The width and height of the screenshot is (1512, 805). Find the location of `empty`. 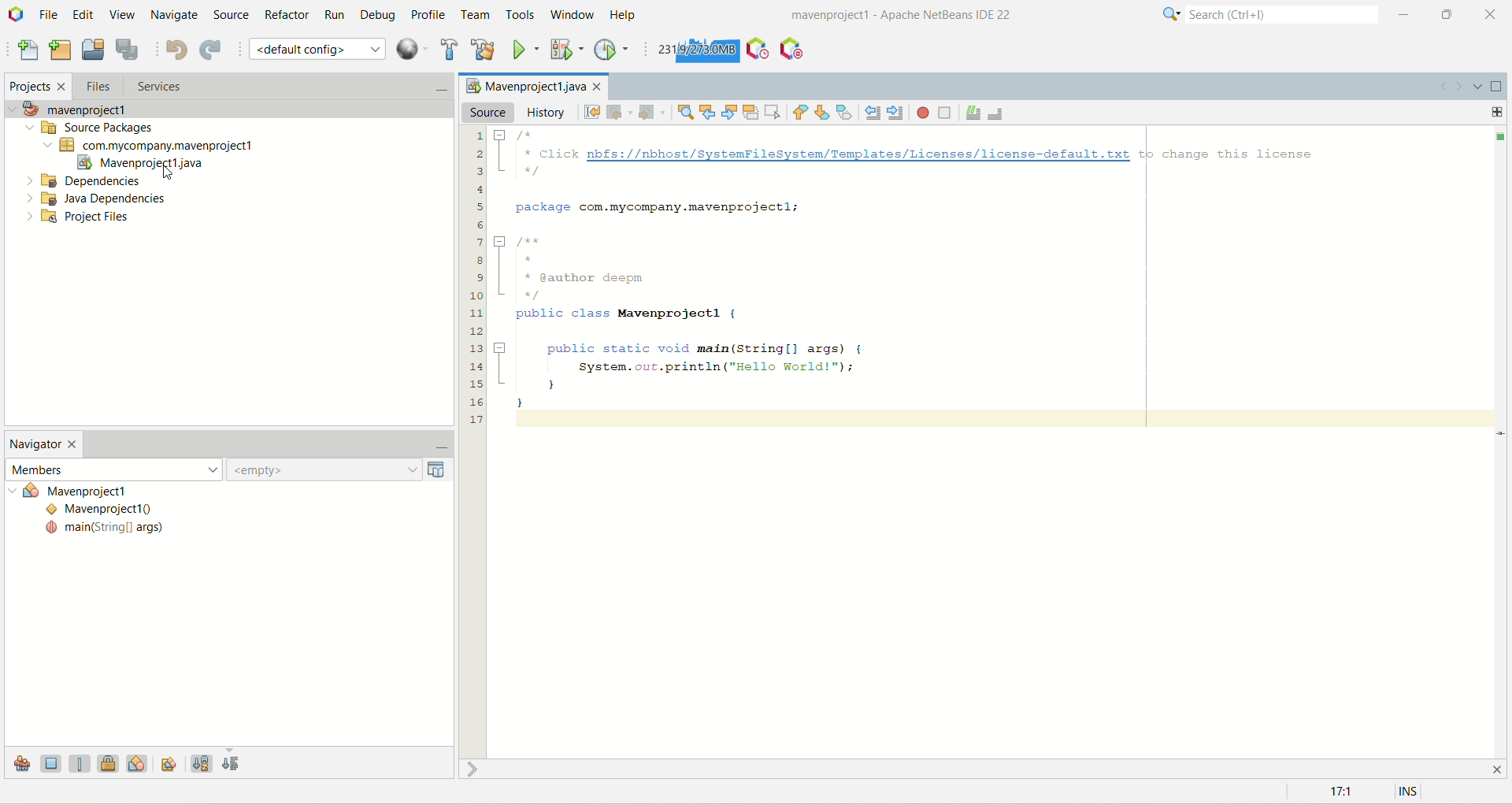

empty is located at coordinates (341, 469).